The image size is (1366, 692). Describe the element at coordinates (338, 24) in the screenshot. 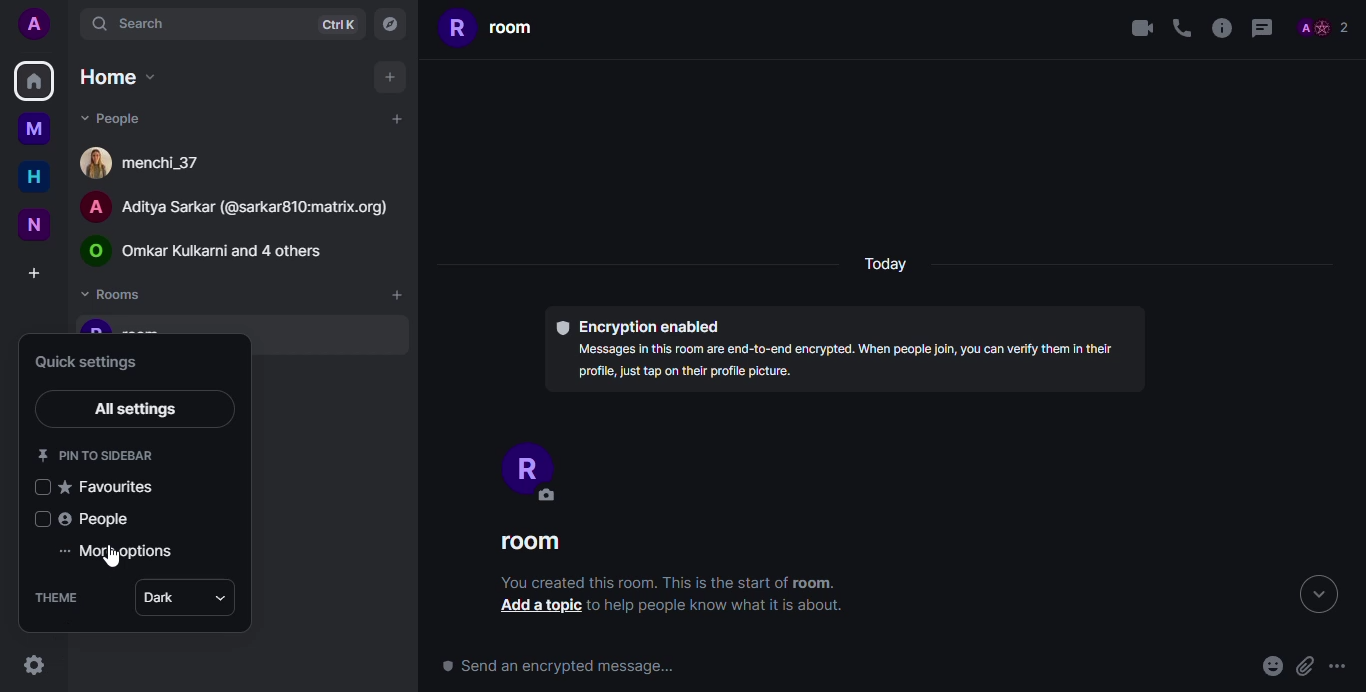

I see `ctrlK` at that location.